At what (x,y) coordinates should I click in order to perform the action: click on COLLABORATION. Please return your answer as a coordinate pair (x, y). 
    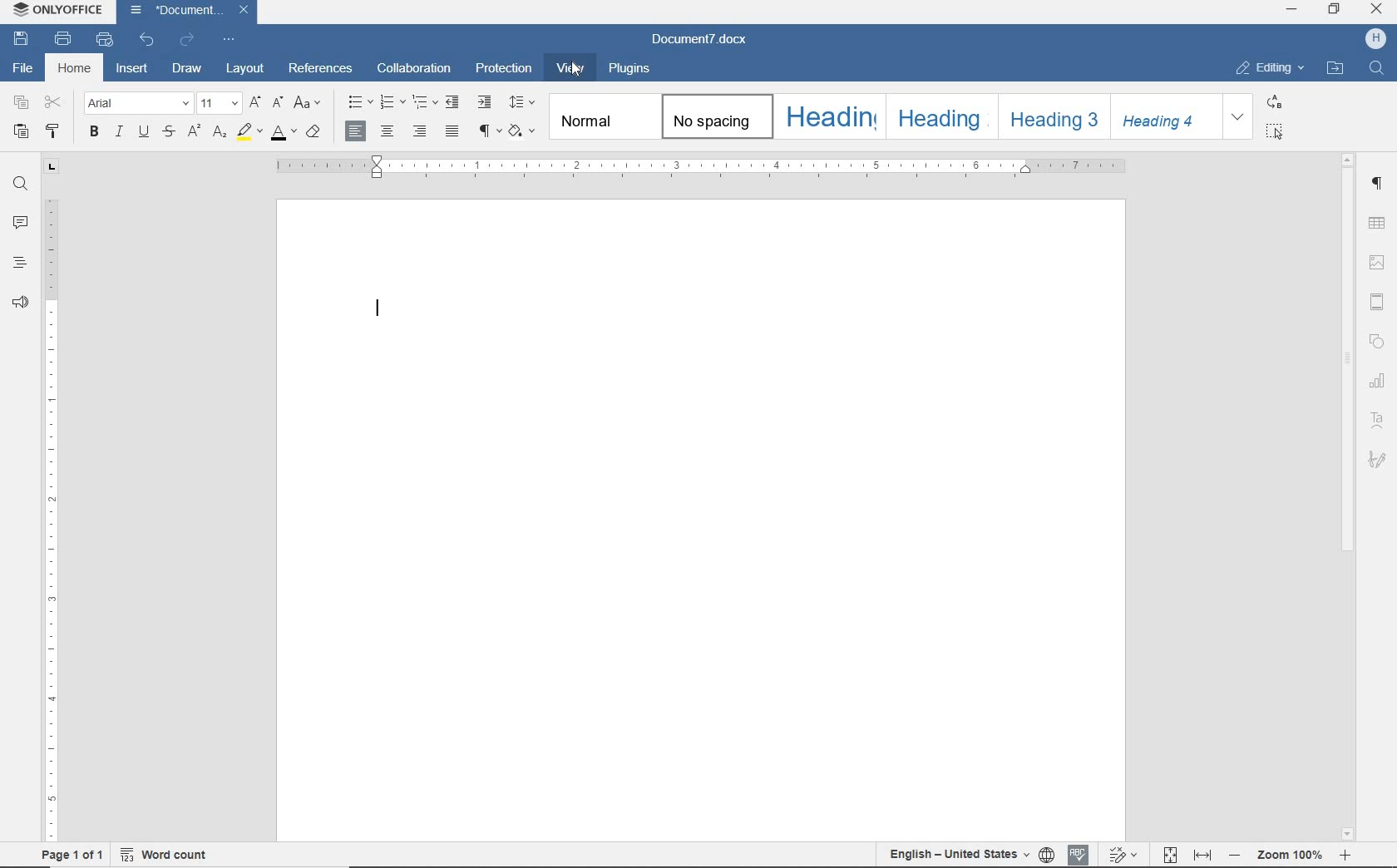
    Looking at the image, I should click on (414, 69).